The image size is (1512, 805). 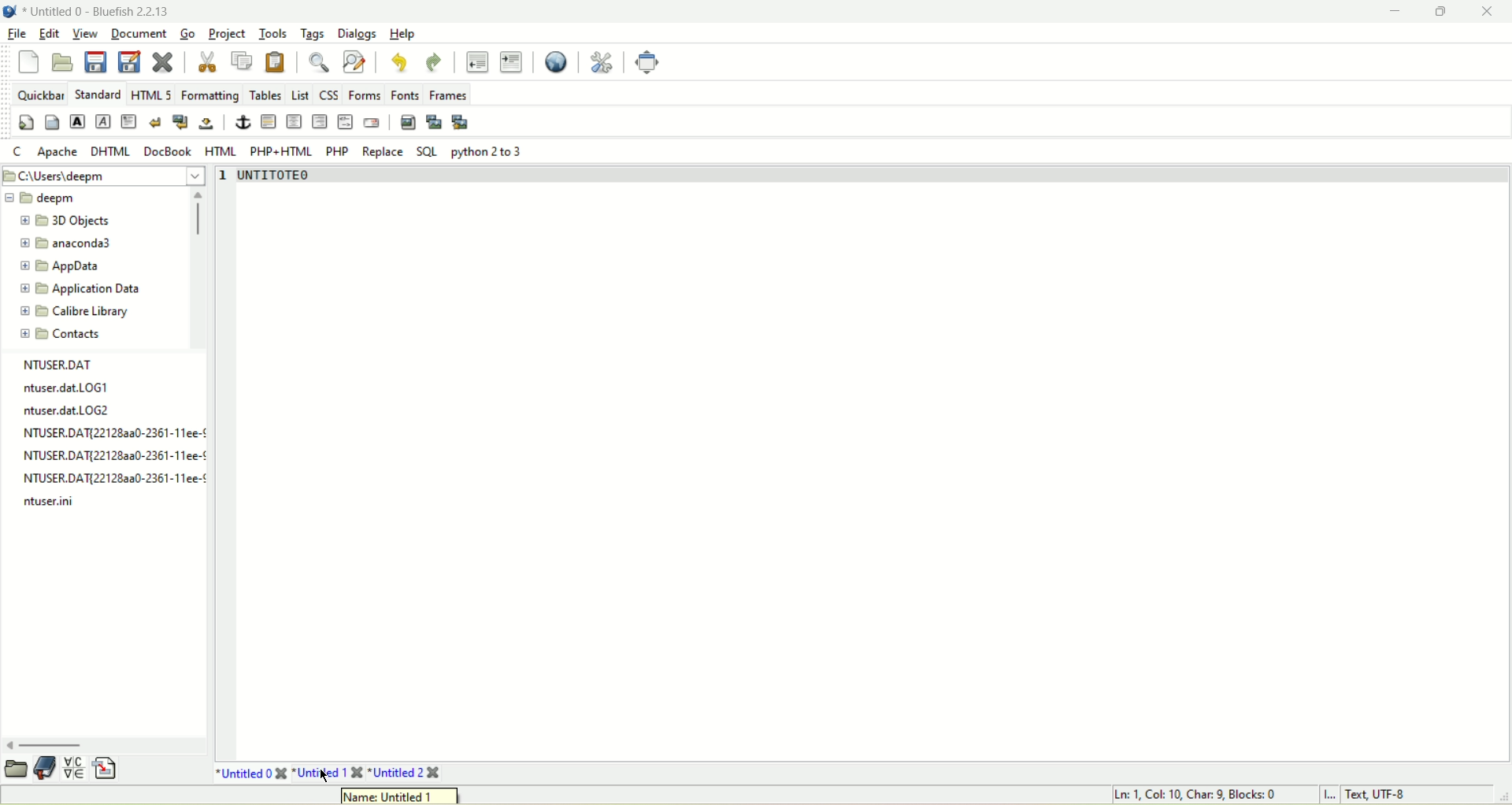 What do you see at coordinates (461, 121) in the screenshot?
I see `multi-thumbnail` at bounding box center [461, 121].